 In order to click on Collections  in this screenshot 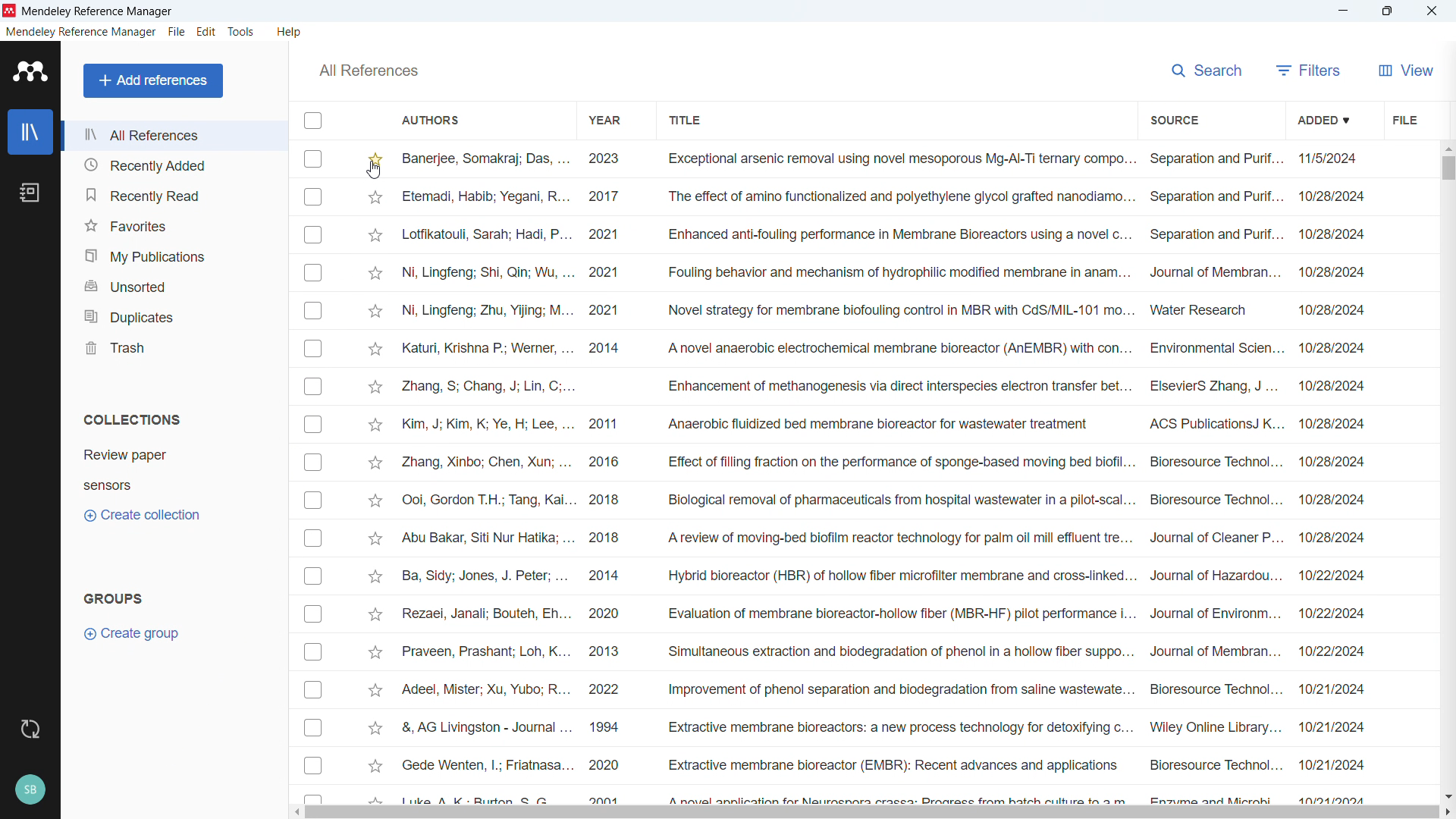, I will do `click(130, 419)`.